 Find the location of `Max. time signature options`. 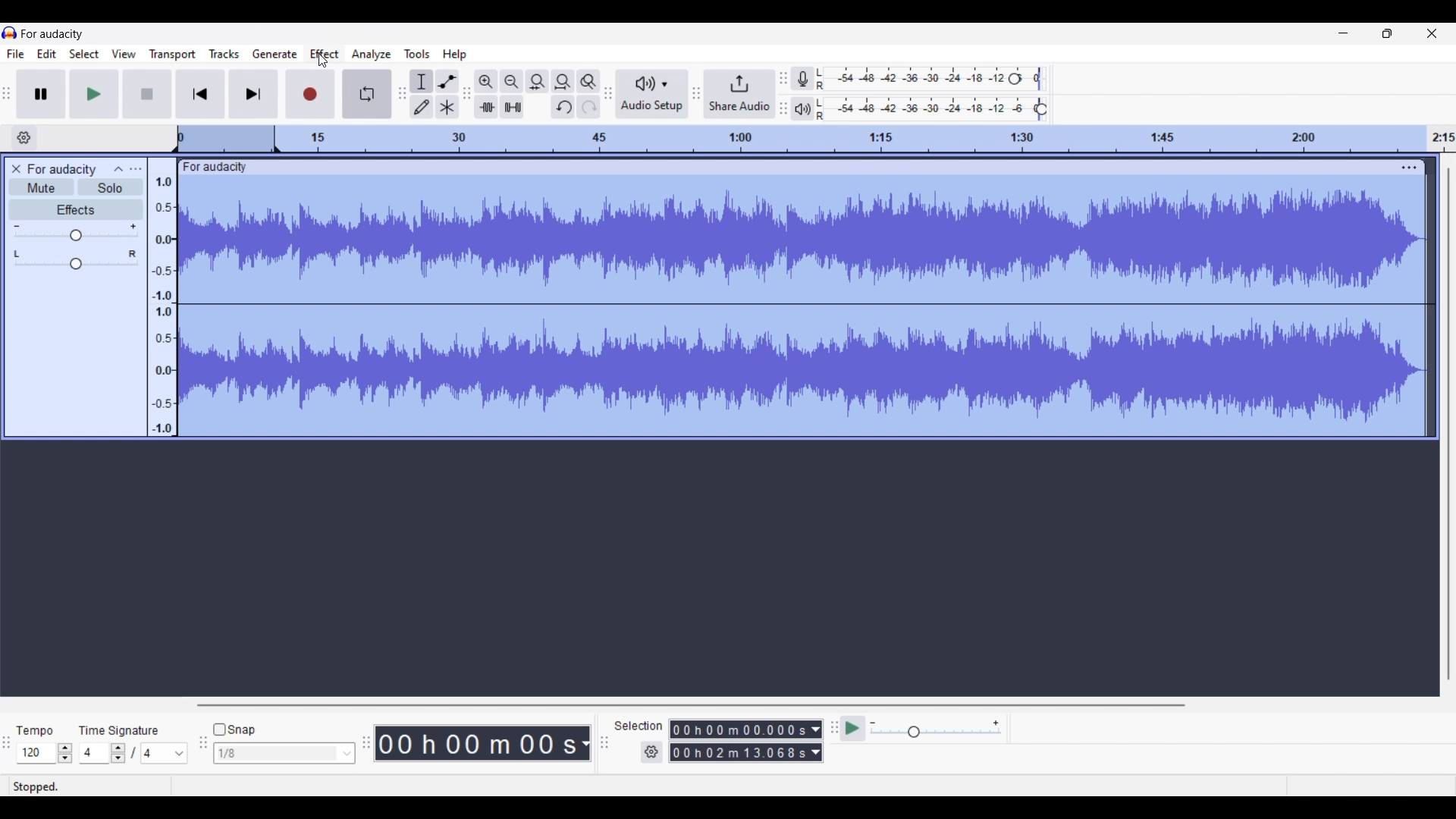

Max. time signature options is located at coordinates (165, 754).